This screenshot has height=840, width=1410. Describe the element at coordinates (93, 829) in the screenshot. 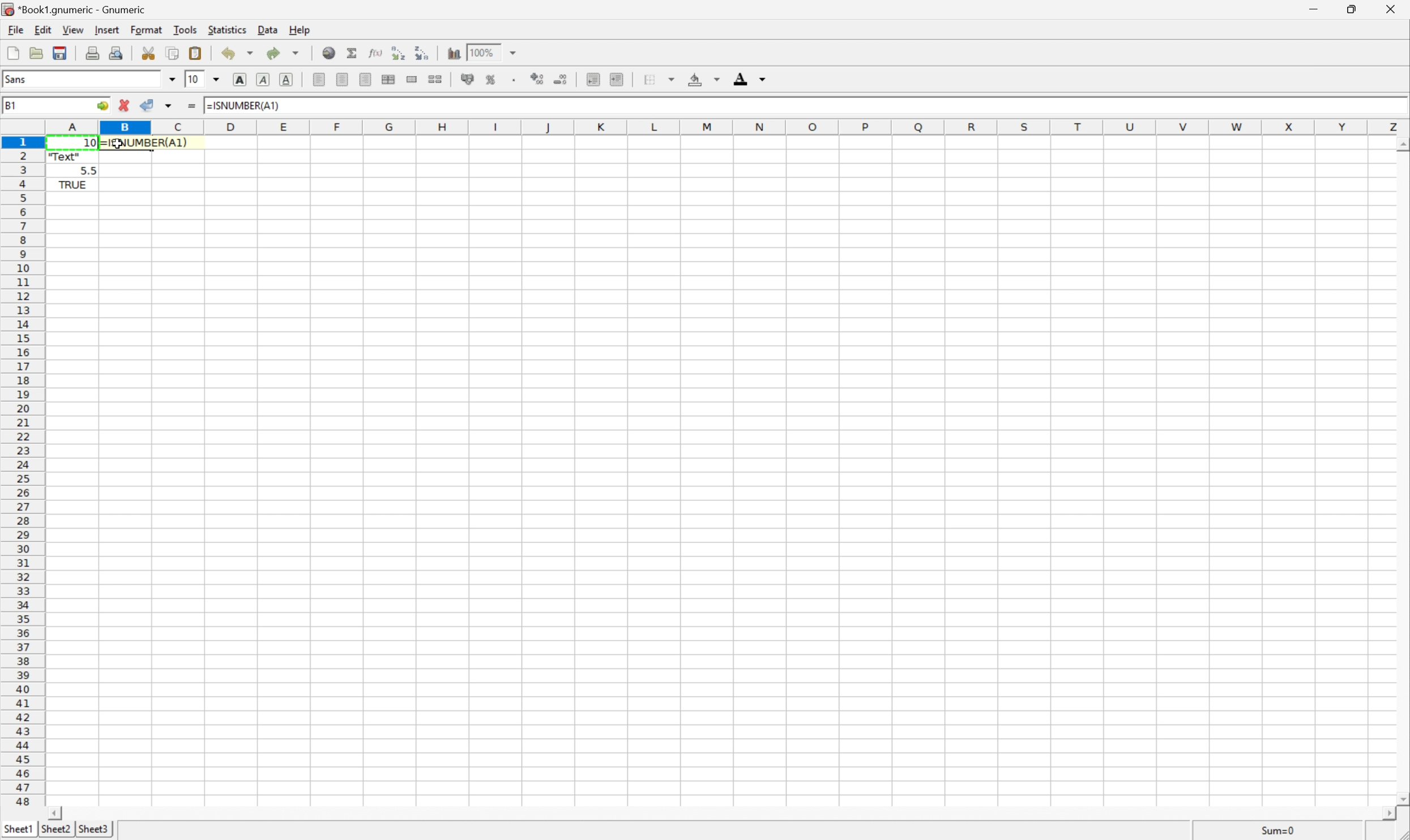

I see `Sheet3` at that location.